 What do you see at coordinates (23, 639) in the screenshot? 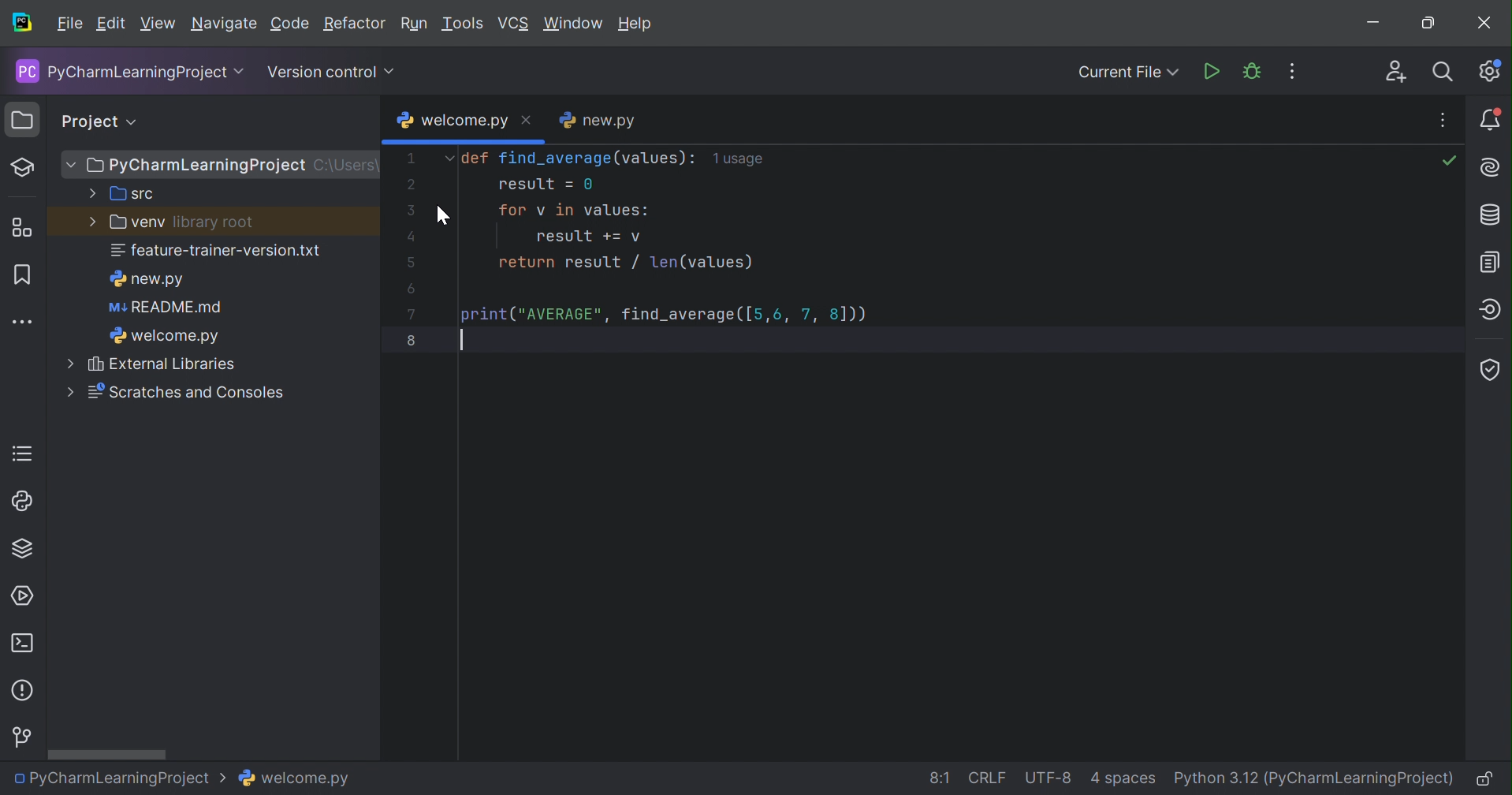
I see `Terminal` at bounding box center [23, 639].